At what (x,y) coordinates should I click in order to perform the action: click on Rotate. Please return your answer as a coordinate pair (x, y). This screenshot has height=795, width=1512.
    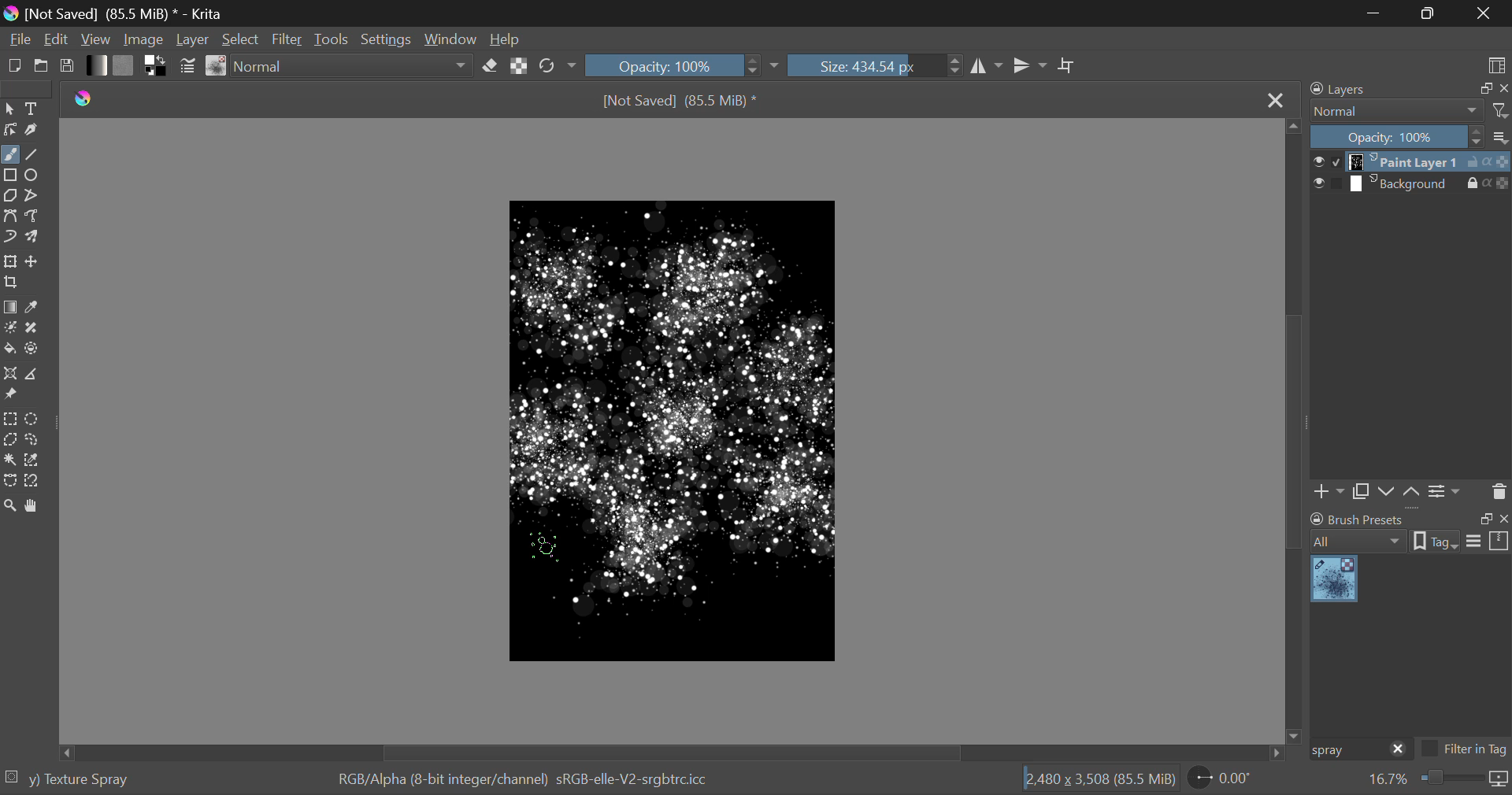
    Looking at the image, I should click on (559, 66).